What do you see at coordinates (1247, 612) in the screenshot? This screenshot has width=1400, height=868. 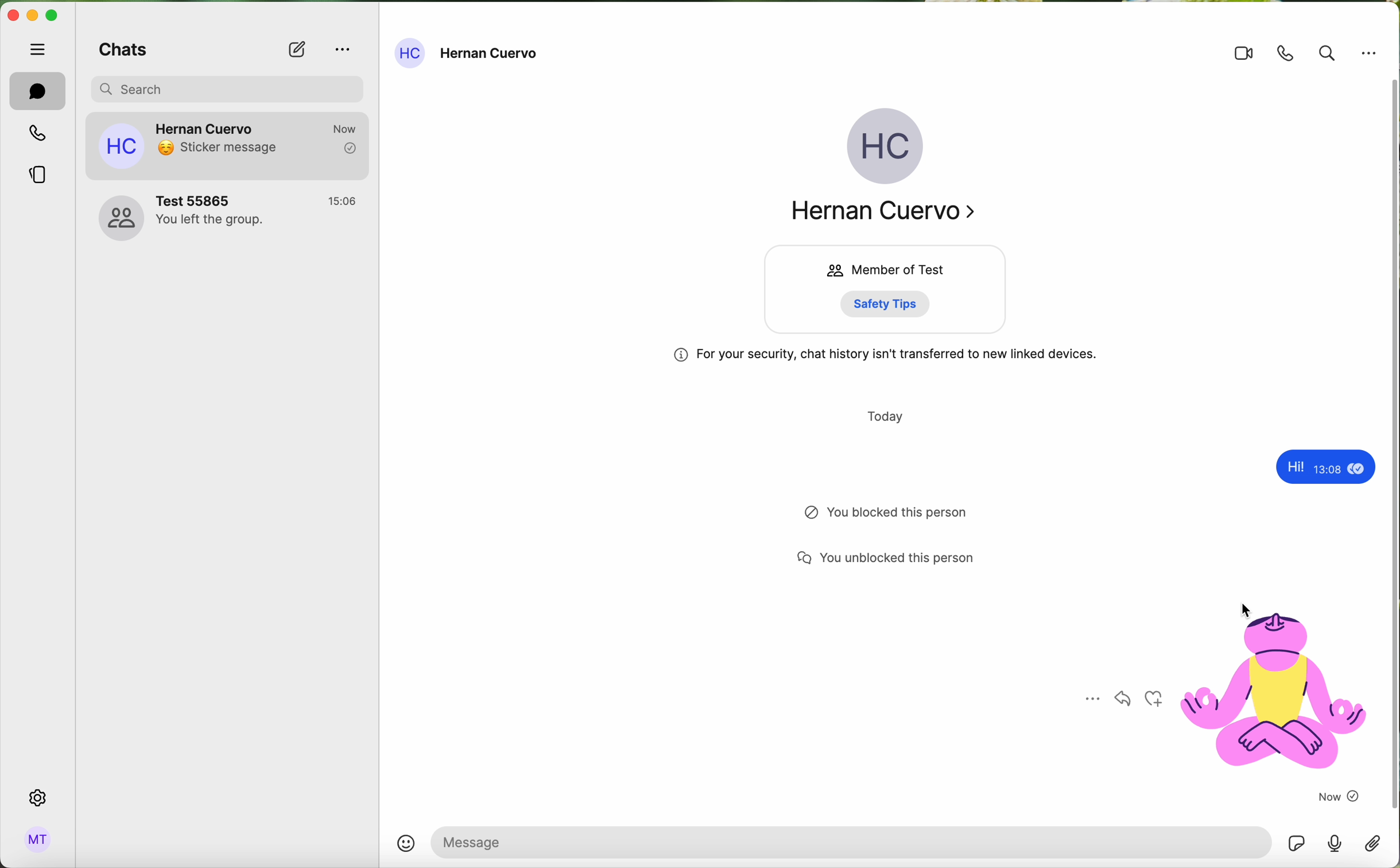 I see `cursor` at bounding box center [1247, 612].